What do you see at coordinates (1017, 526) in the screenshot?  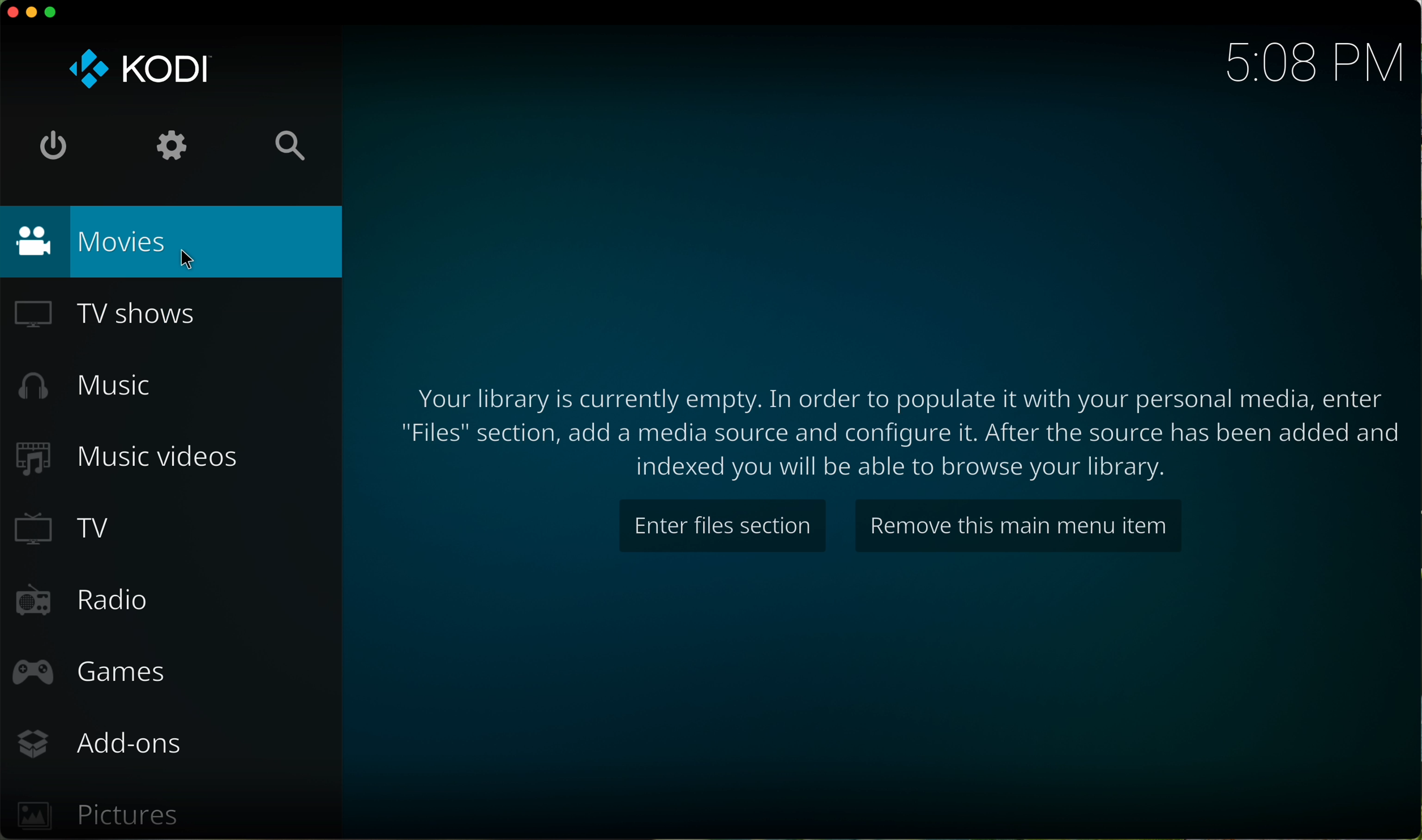 I see `remove this main menu item` at bounding box center [1017, 526].